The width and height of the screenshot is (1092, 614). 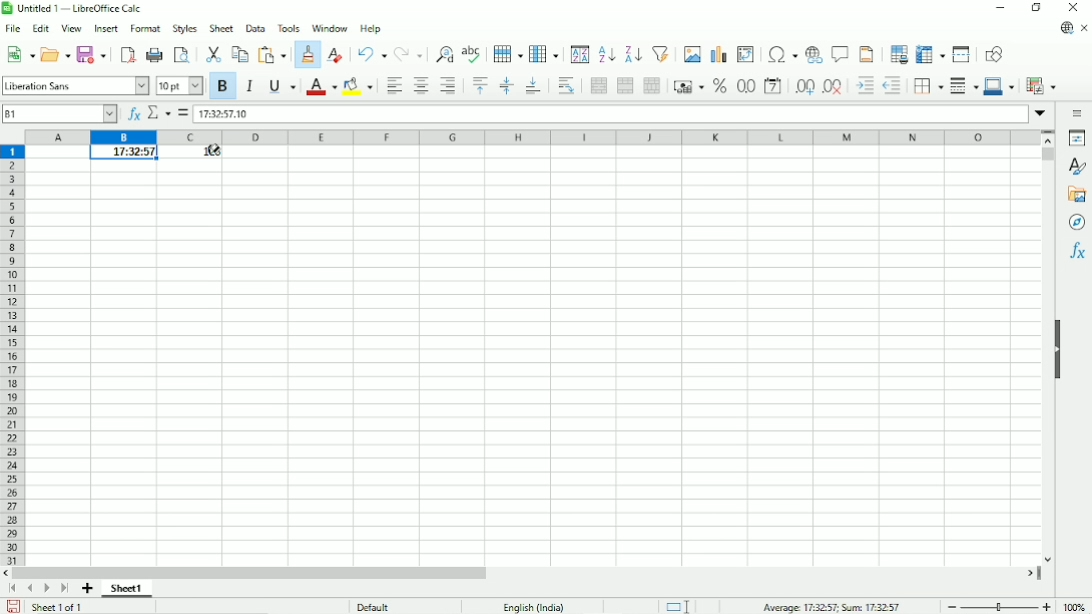 I want to click on Toggle print preview, so click(x=183, y=55).